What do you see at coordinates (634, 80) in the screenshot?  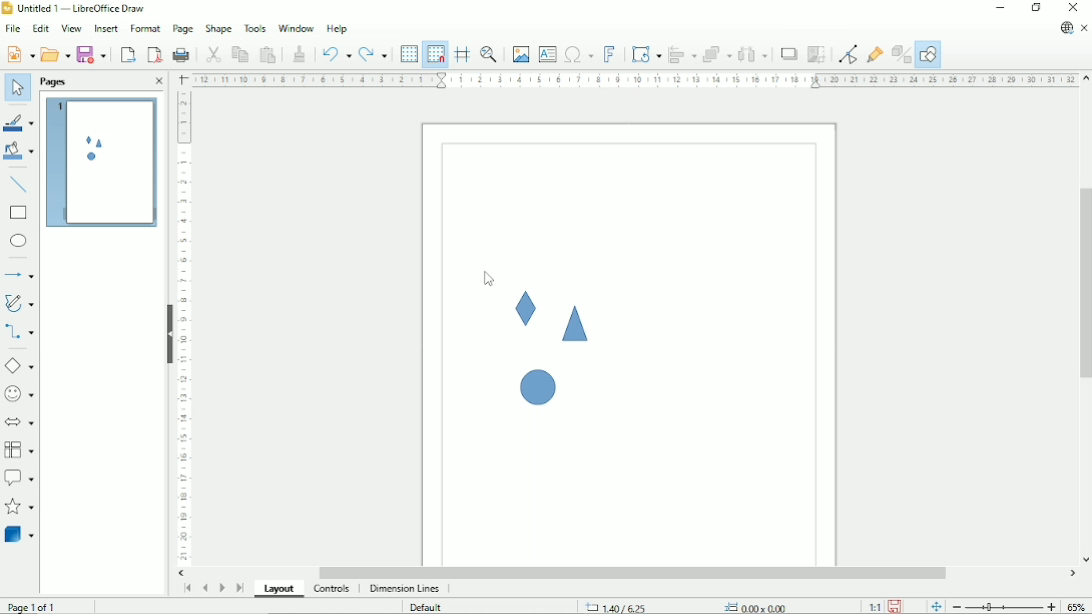 I see `Horizontal scale` at bounding box center [634, 80].